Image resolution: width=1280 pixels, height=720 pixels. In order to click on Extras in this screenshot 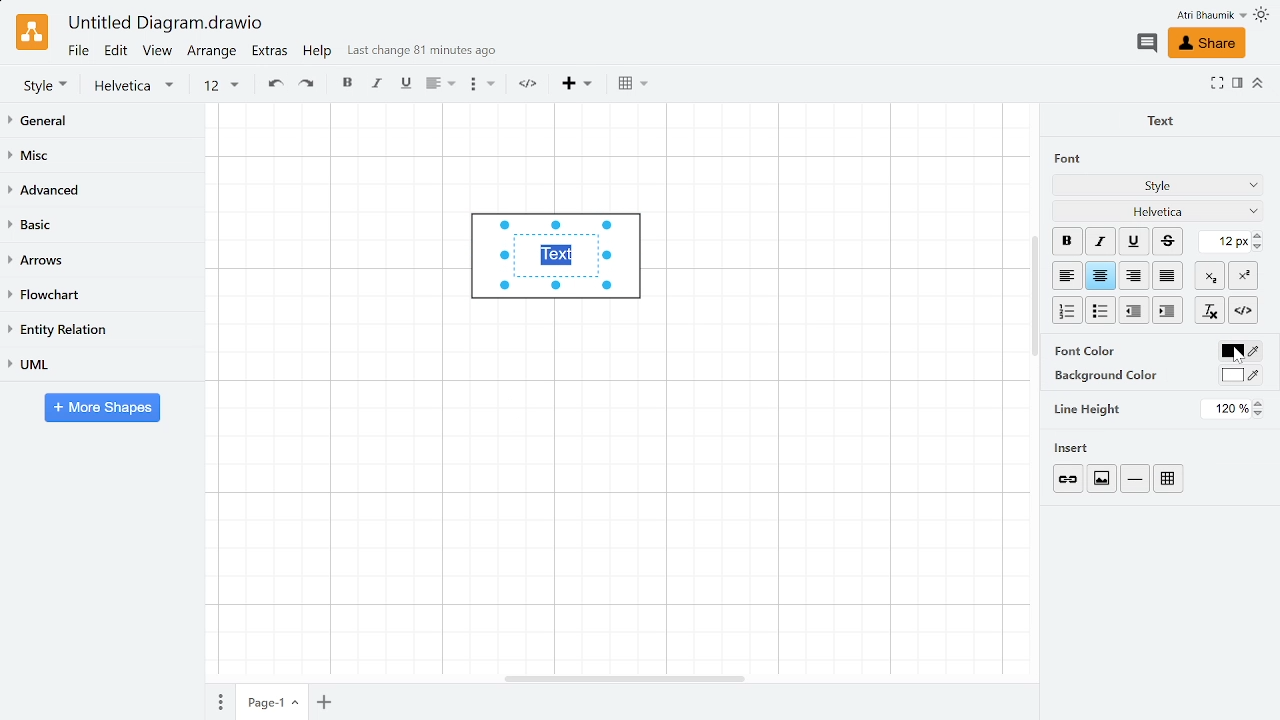, I will do `click(272, 53)`.